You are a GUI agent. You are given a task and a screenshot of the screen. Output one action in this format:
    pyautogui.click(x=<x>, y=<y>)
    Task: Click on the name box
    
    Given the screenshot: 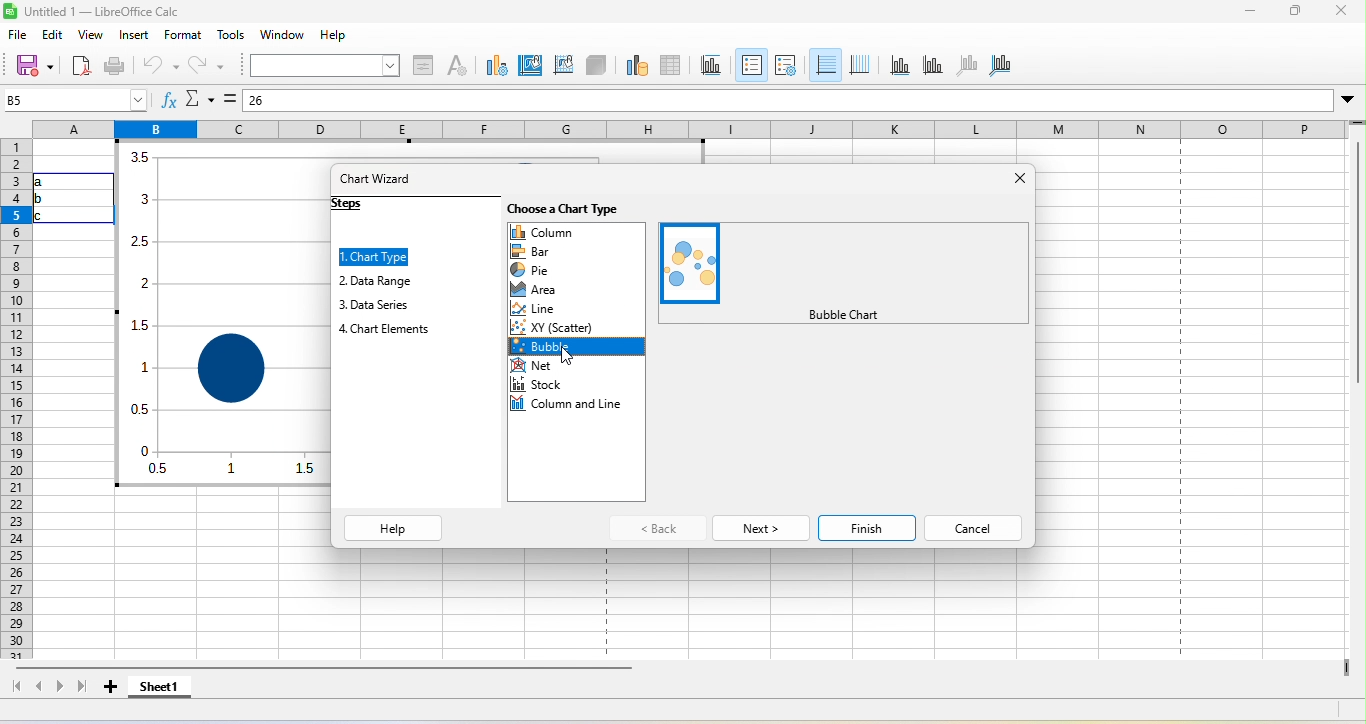 What is the action you would take?
    pyautogui.click(x=72, y=99)
    